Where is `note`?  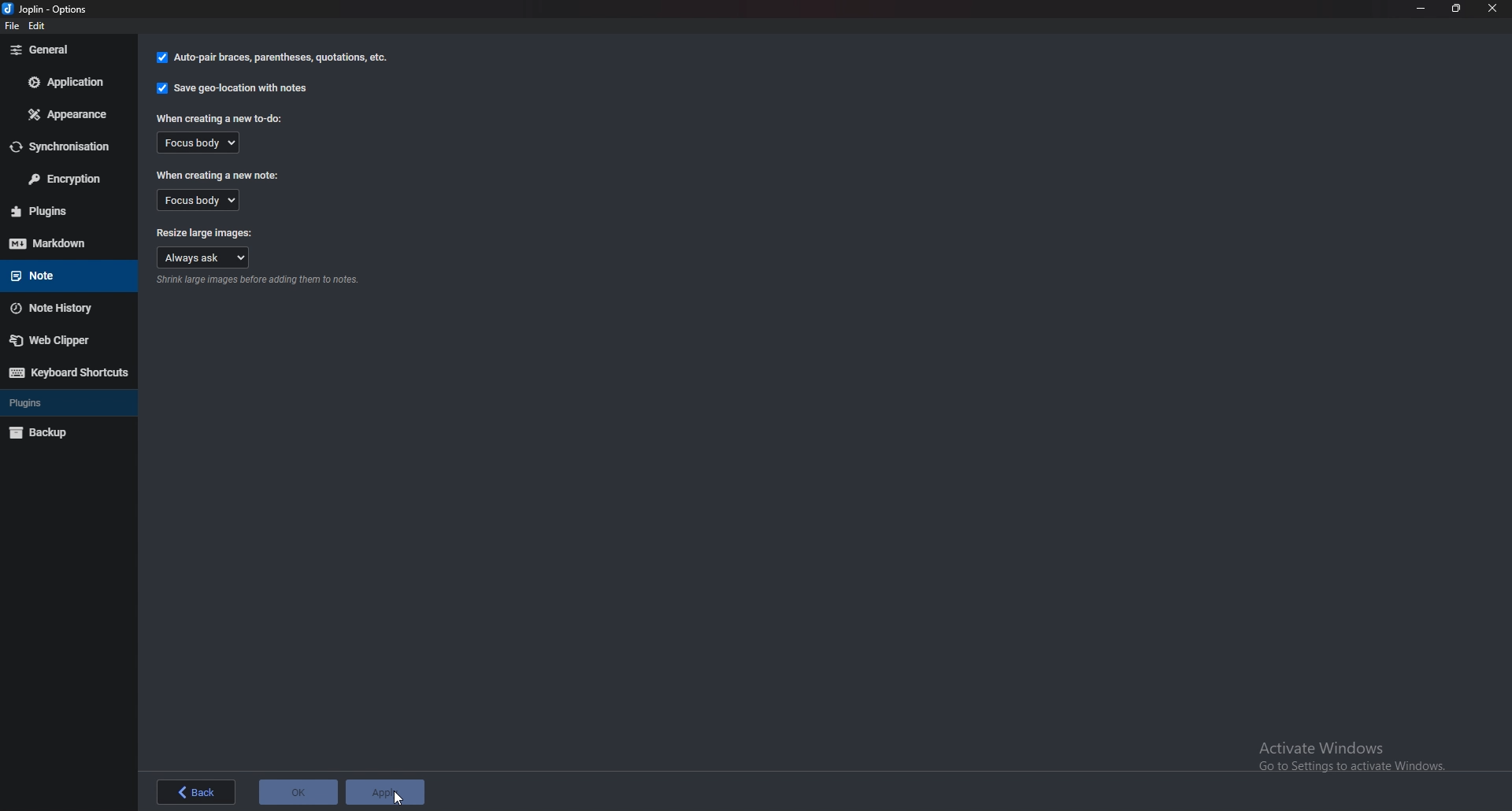
note is located at coordinates (60, 275).